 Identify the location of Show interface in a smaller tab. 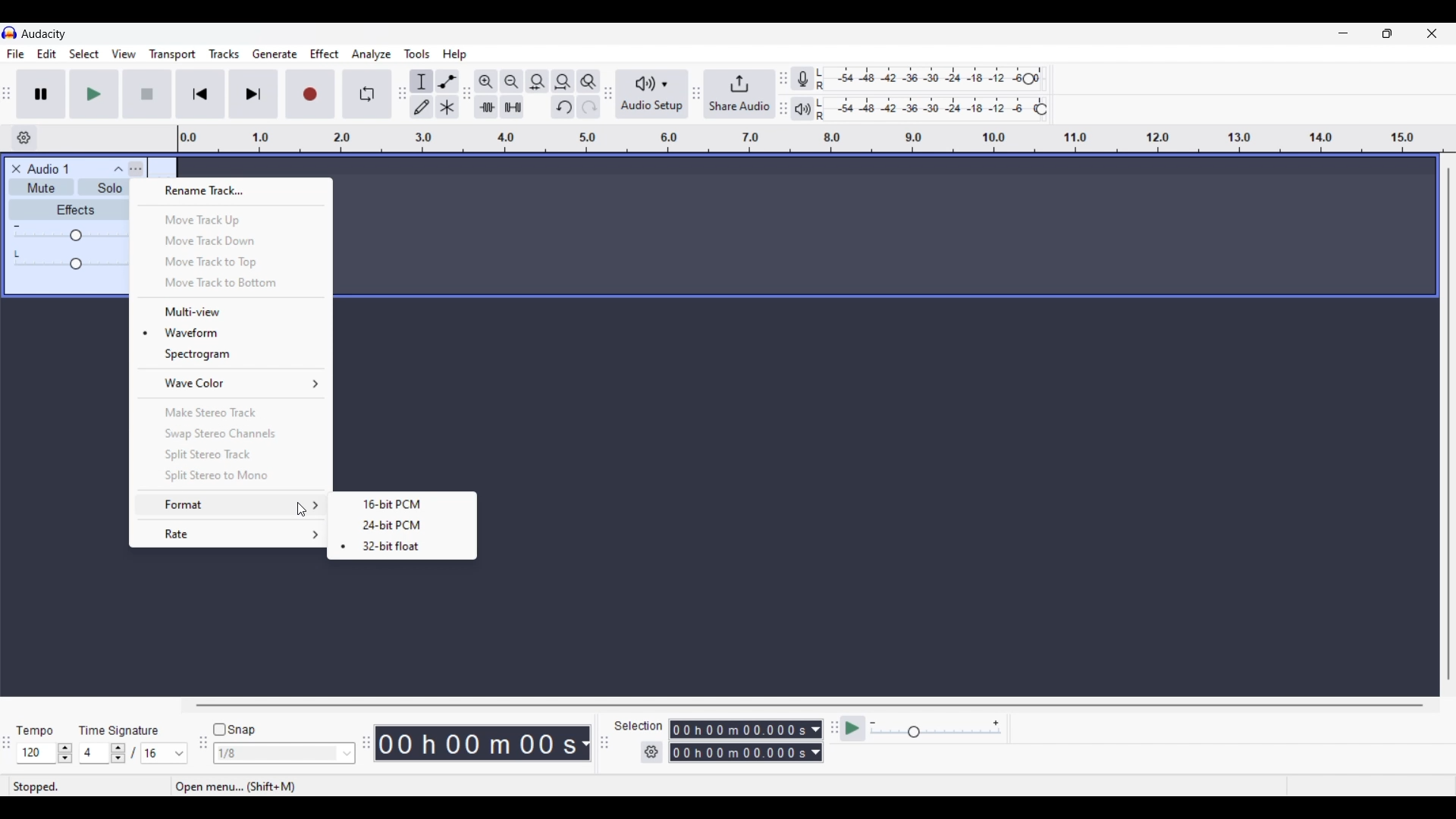
(1387, 33).